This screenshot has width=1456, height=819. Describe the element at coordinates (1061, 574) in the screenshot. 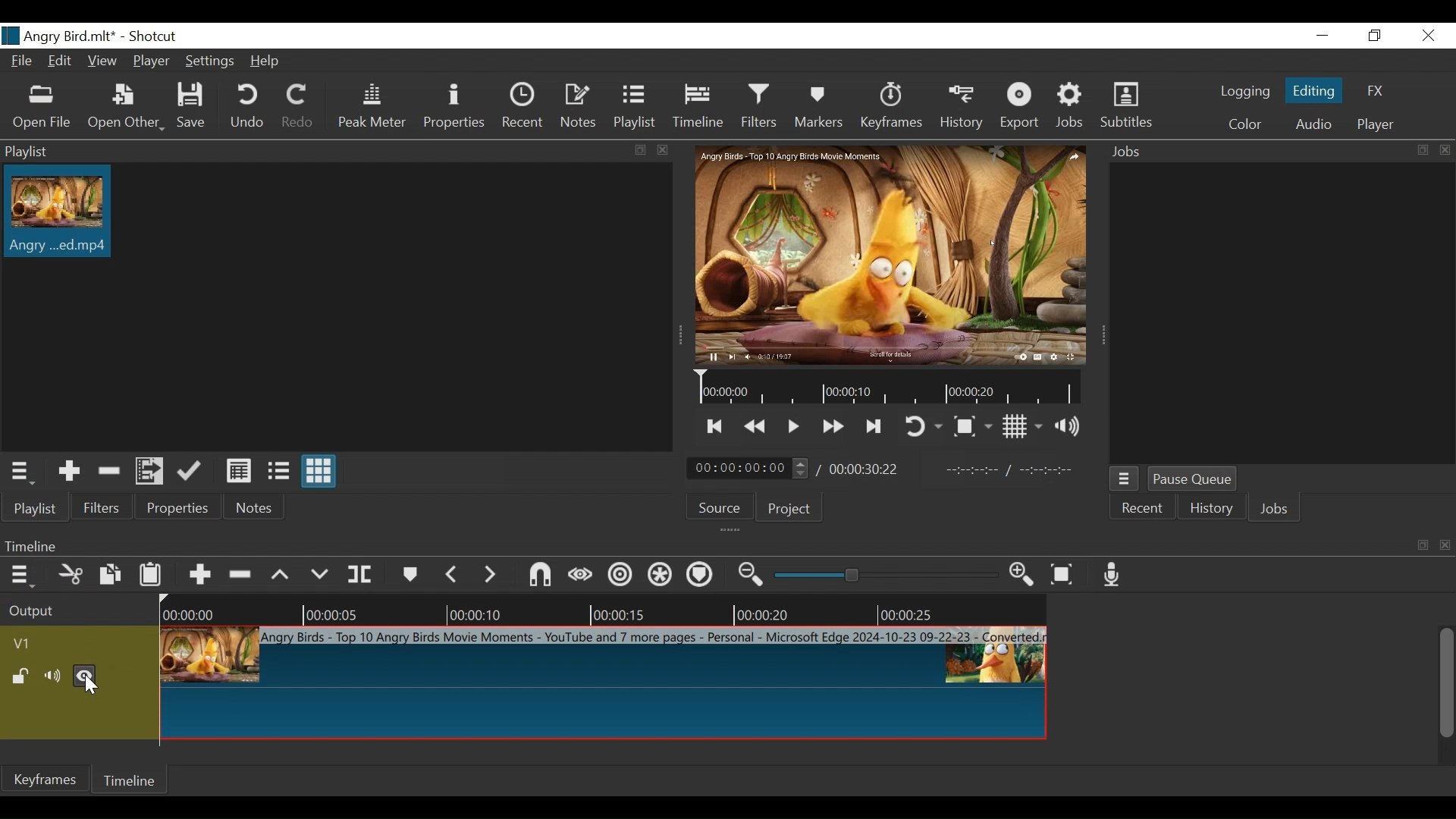

I see `Zoom timeline fit` at that location.